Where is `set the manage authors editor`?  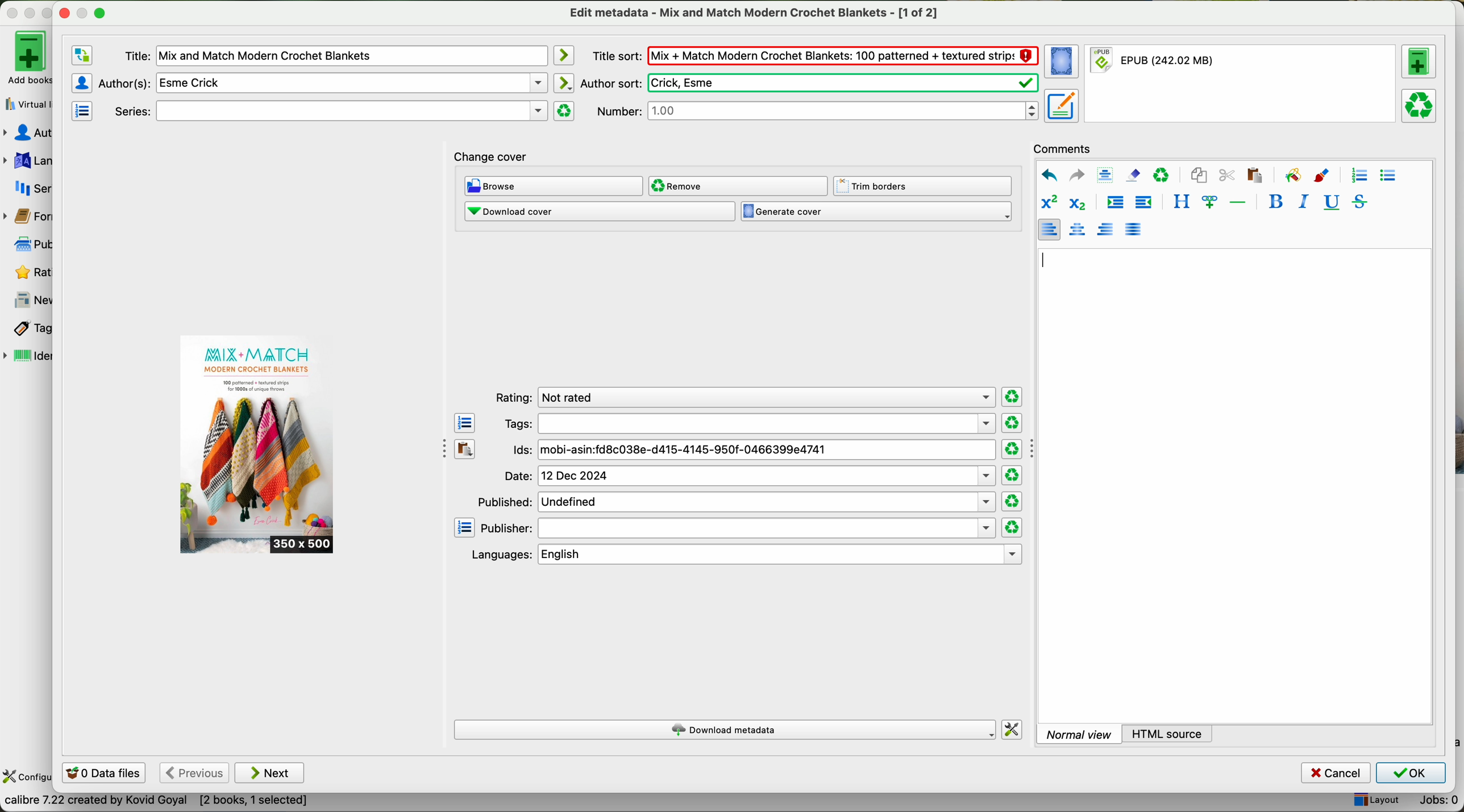
set the manage authors editor is located at coordinates (81, 83).